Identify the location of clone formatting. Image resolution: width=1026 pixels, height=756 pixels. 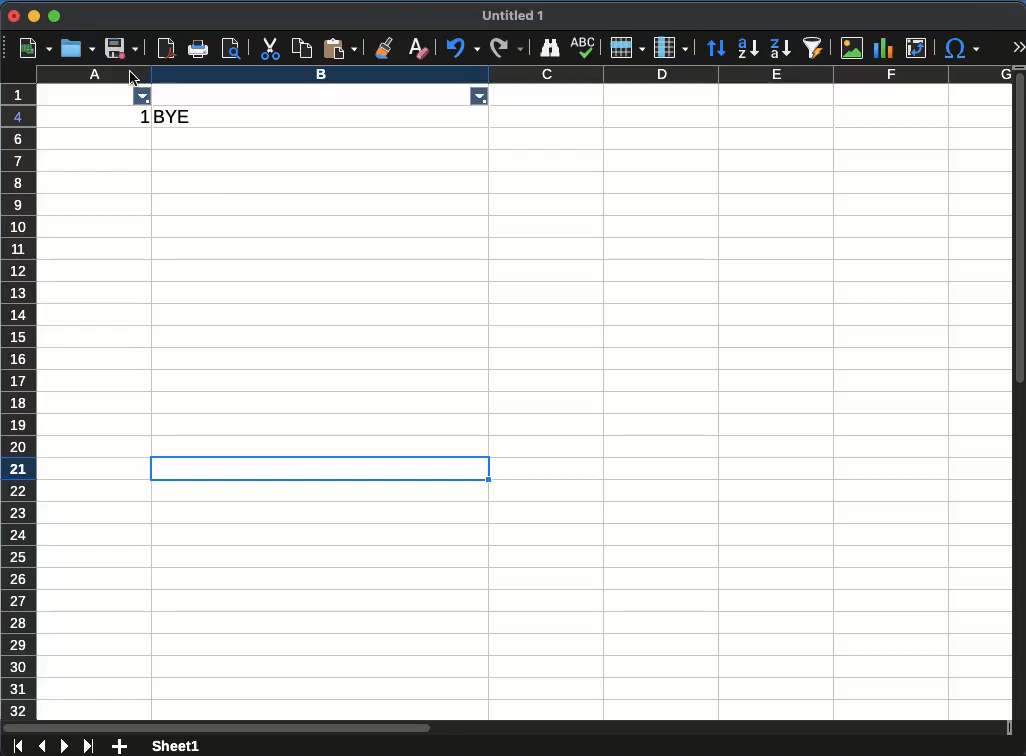
(385, 47).